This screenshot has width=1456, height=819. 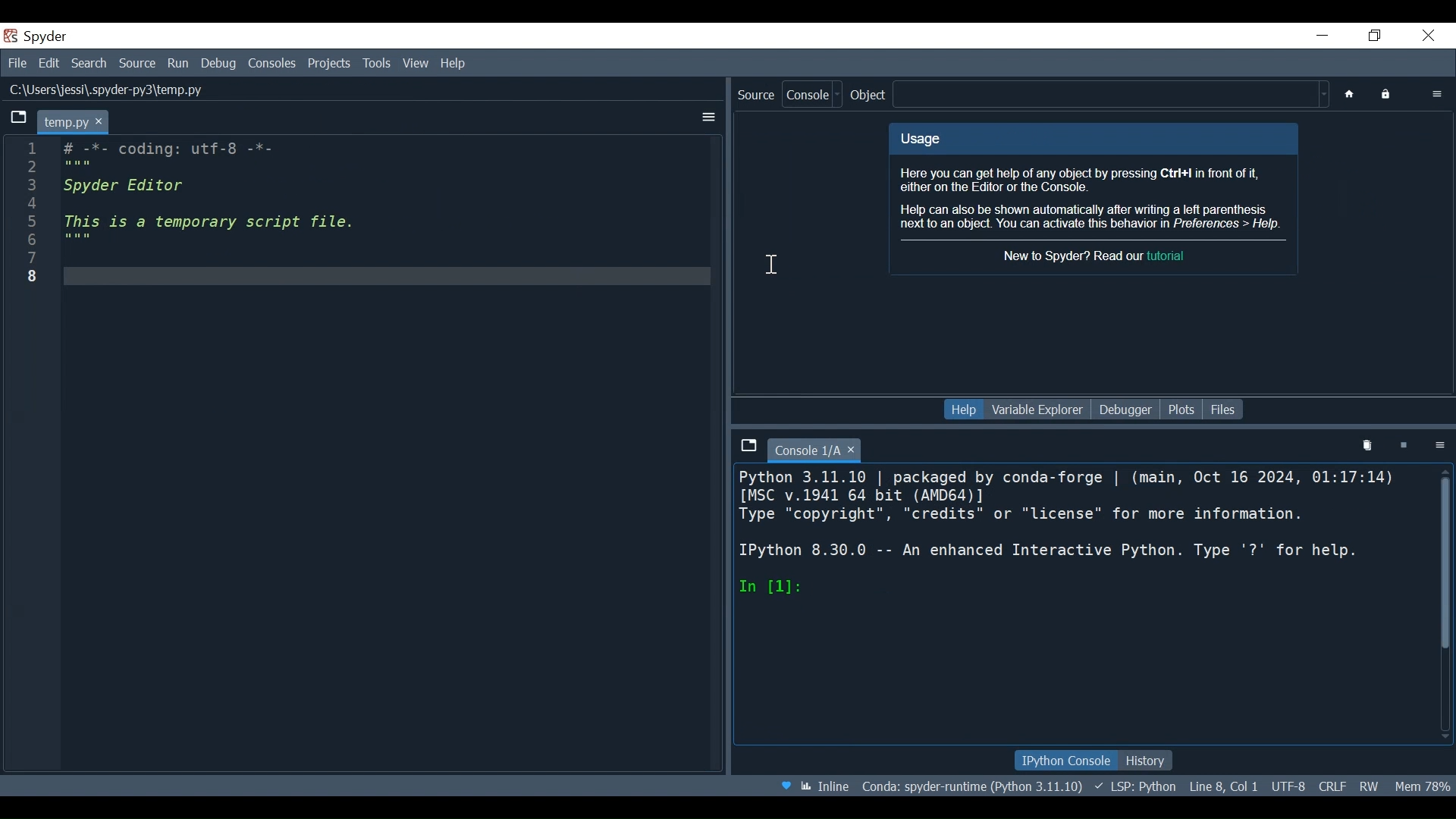 What do you see at coordinates (1427, 36) in the screenshot?
I see `Close` at bounding box center [1427, 36].